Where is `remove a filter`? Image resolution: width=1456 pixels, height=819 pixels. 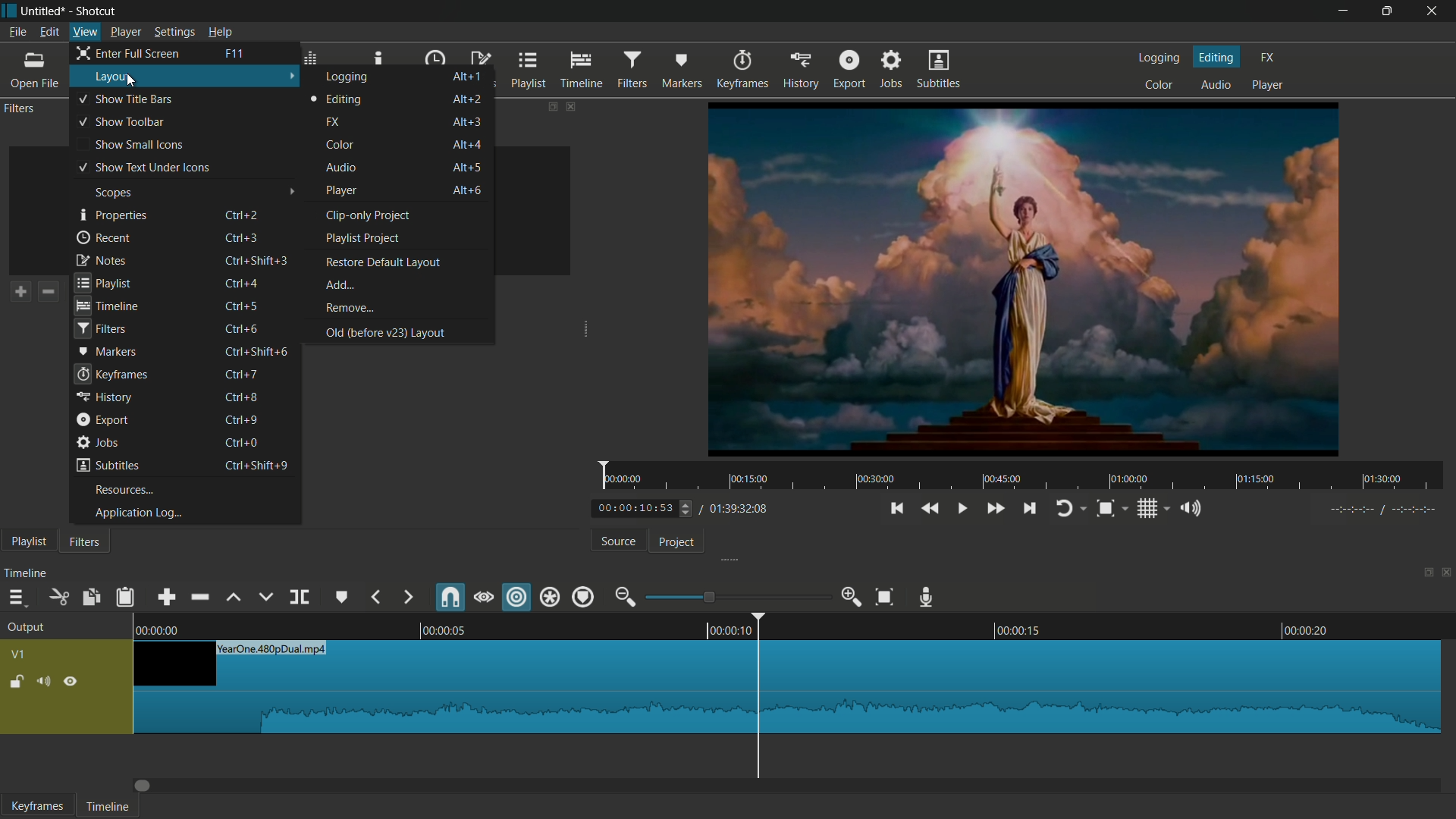
remove a filter is located at coordinates (48, 292).